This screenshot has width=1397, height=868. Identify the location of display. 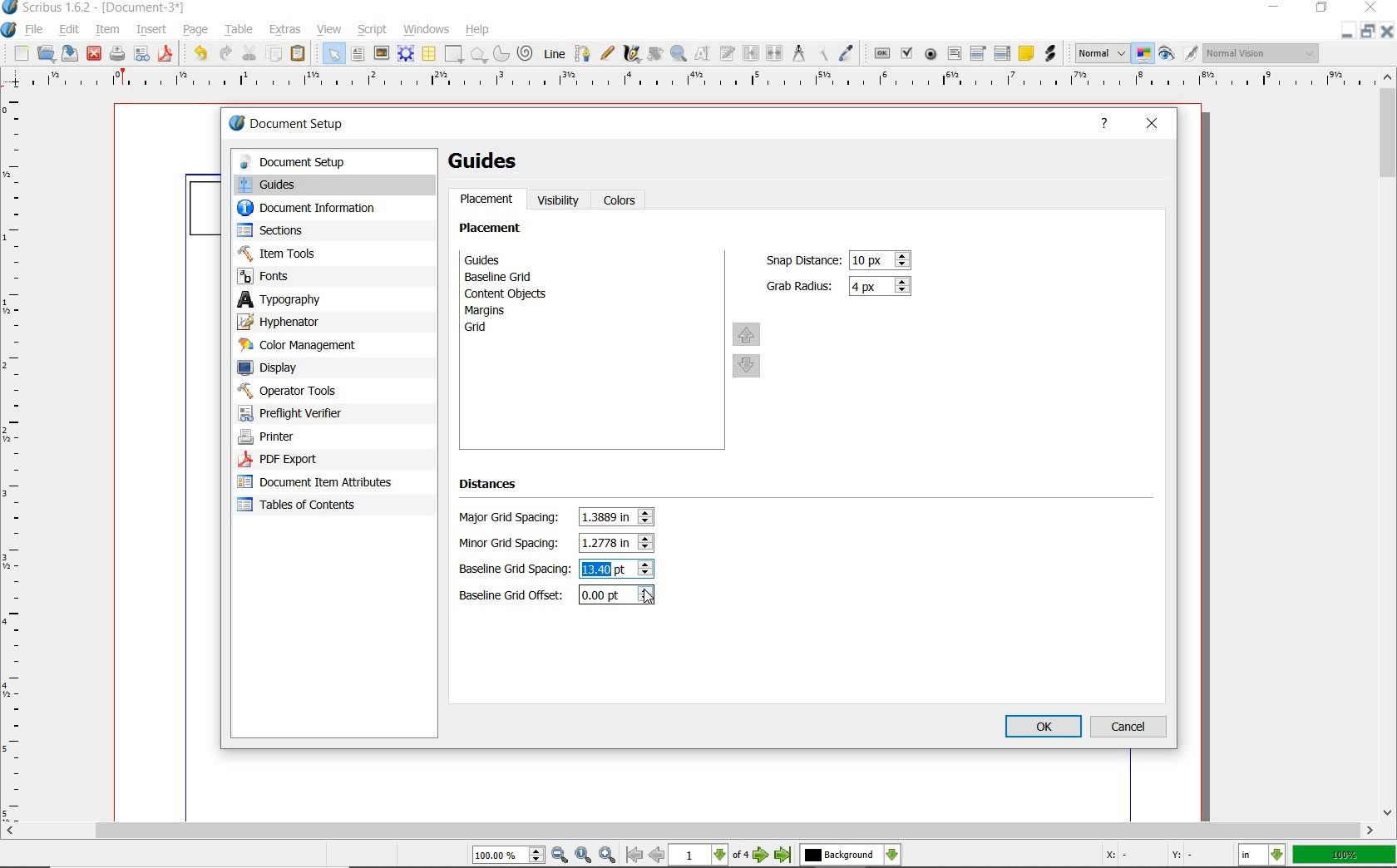
(324, 369).